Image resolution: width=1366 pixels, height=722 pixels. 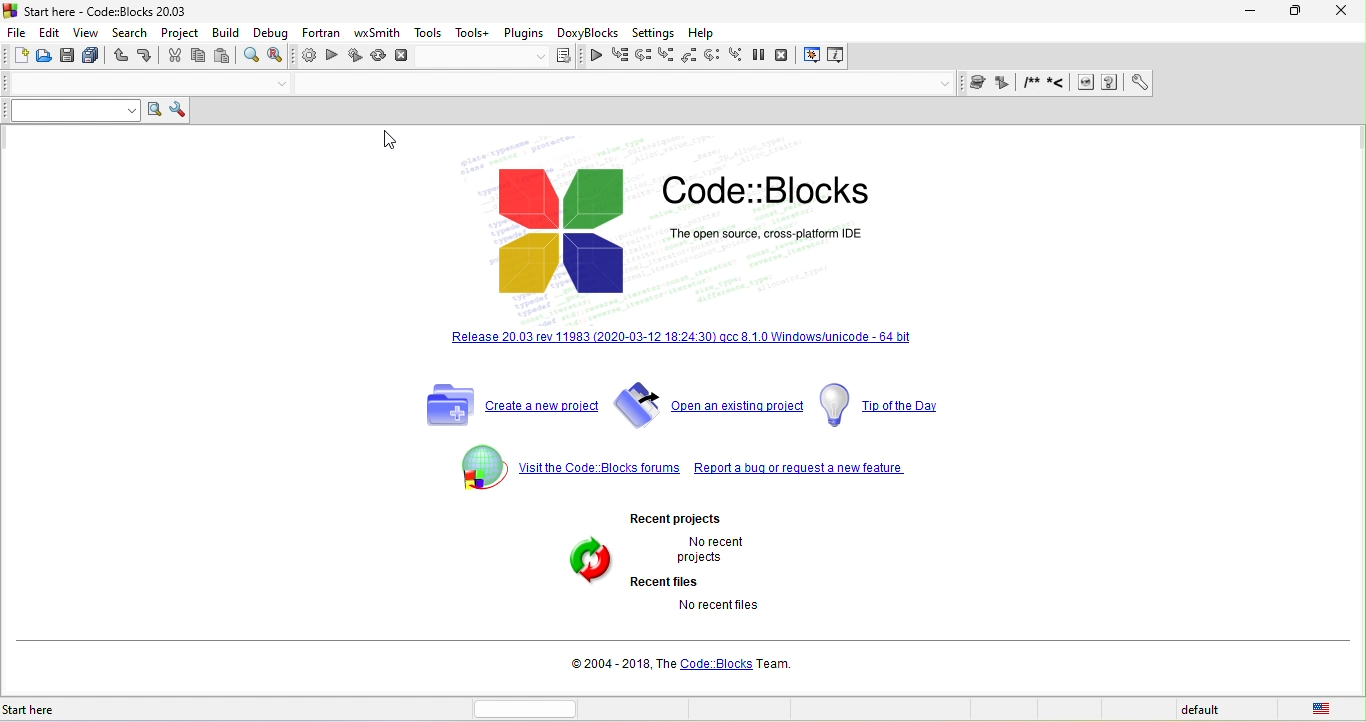 I want to click on start here-code blocks-2023, so click(x=117, y=11).